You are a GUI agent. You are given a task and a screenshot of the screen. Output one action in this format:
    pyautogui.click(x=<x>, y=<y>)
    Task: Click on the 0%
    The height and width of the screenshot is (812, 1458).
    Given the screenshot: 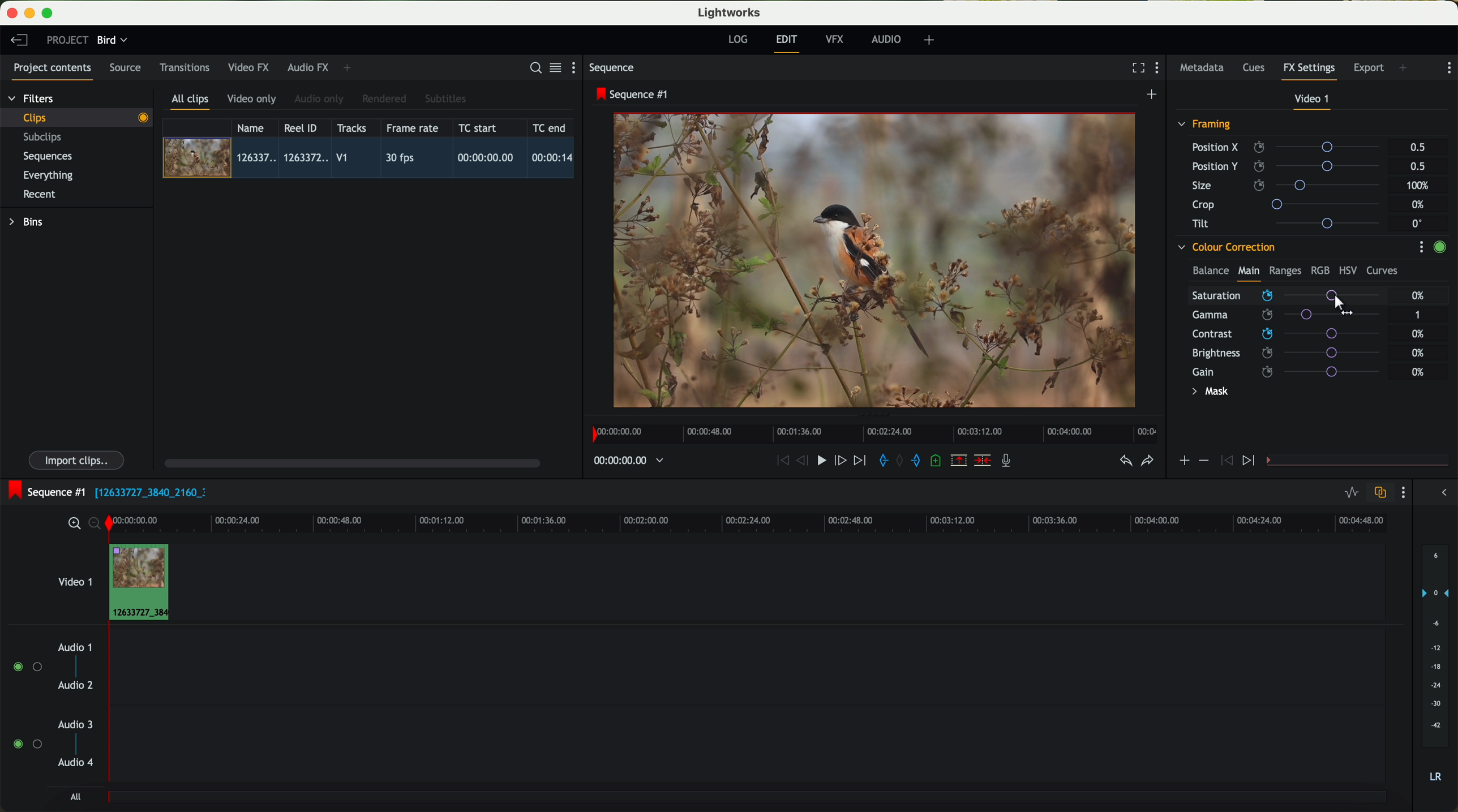 What is the action you would take?
    pyautogui.click(x=1420, y=205)
    